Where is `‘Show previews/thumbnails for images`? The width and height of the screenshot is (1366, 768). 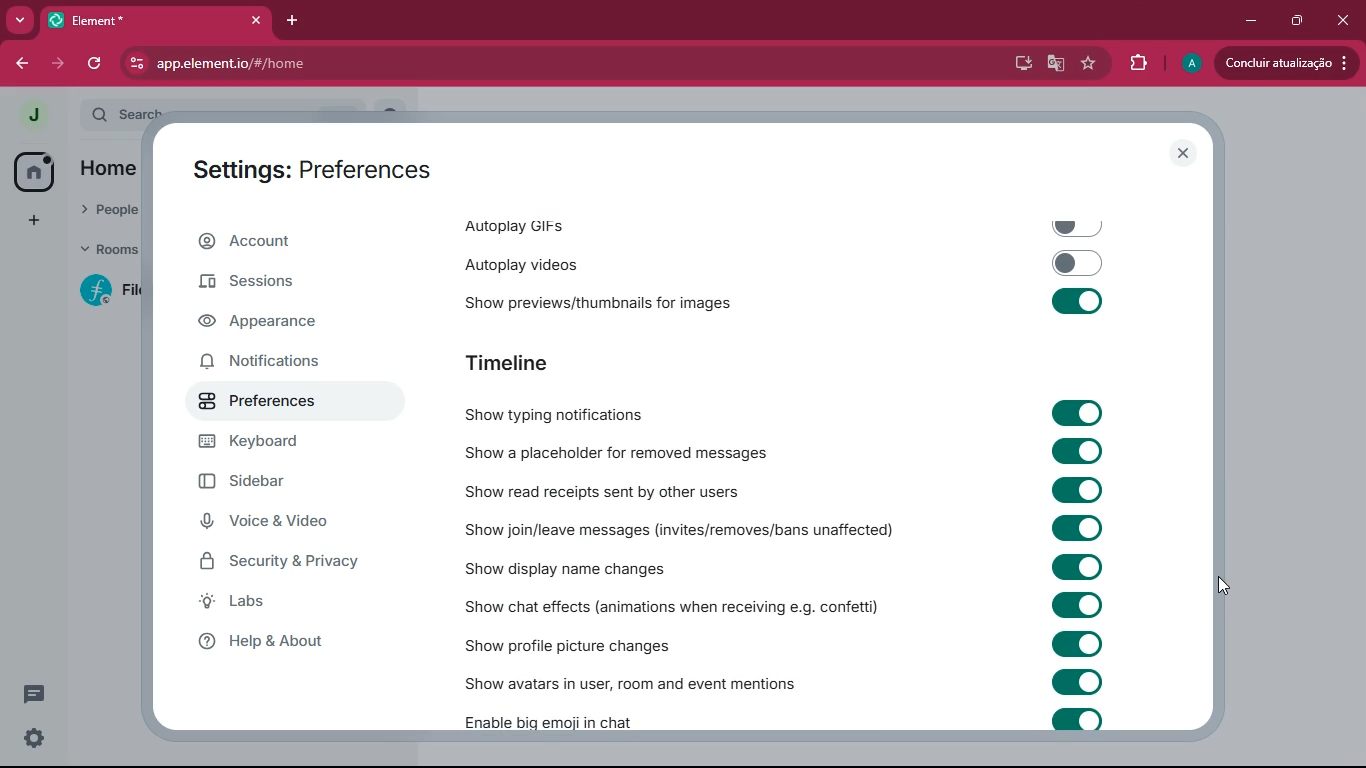 ‘Show previews/thumbnails for images is located at coordinates (785, 300).